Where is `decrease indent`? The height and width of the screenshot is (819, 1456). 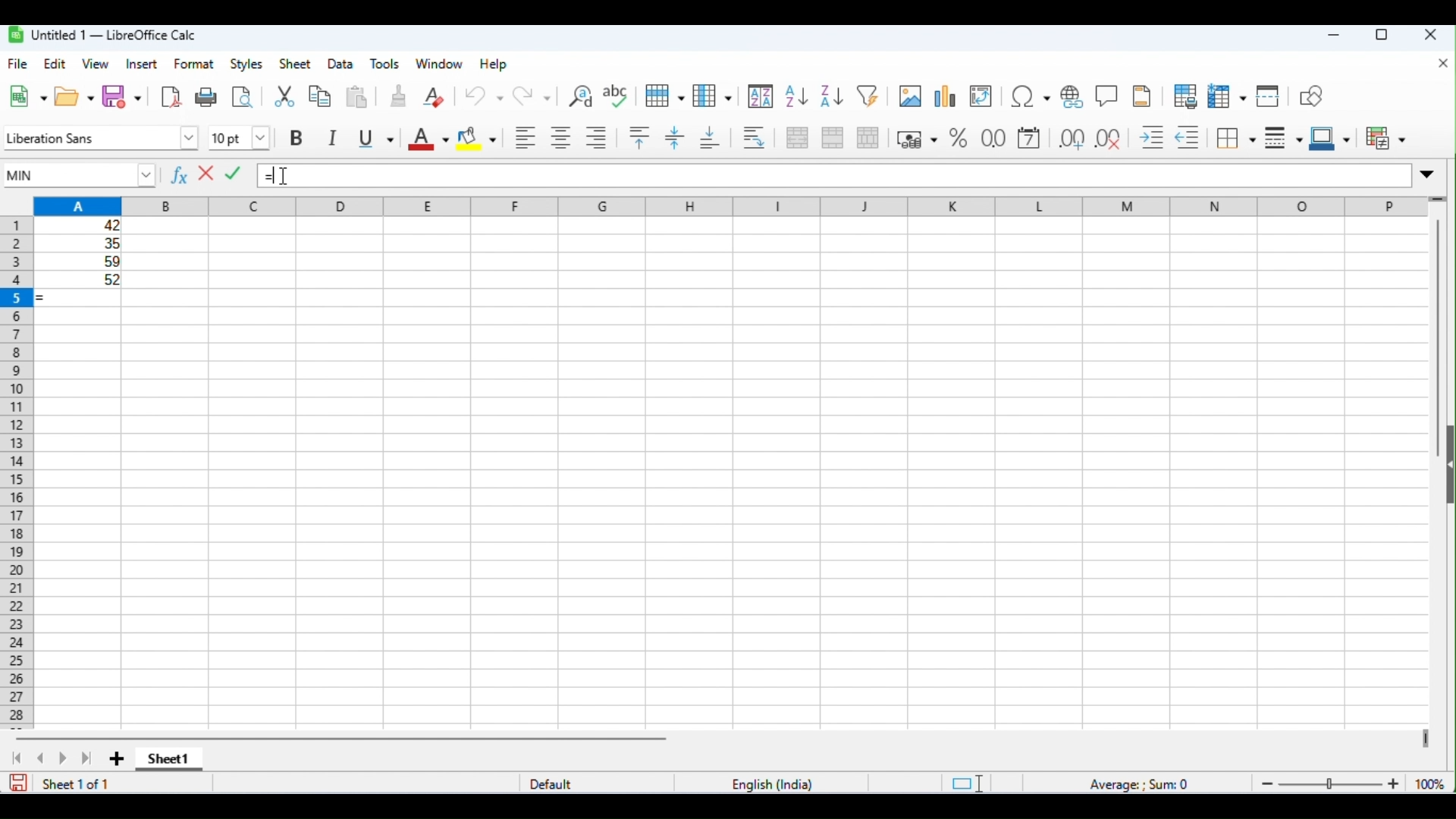 decrease indent is located at coordinates (1188, 137).